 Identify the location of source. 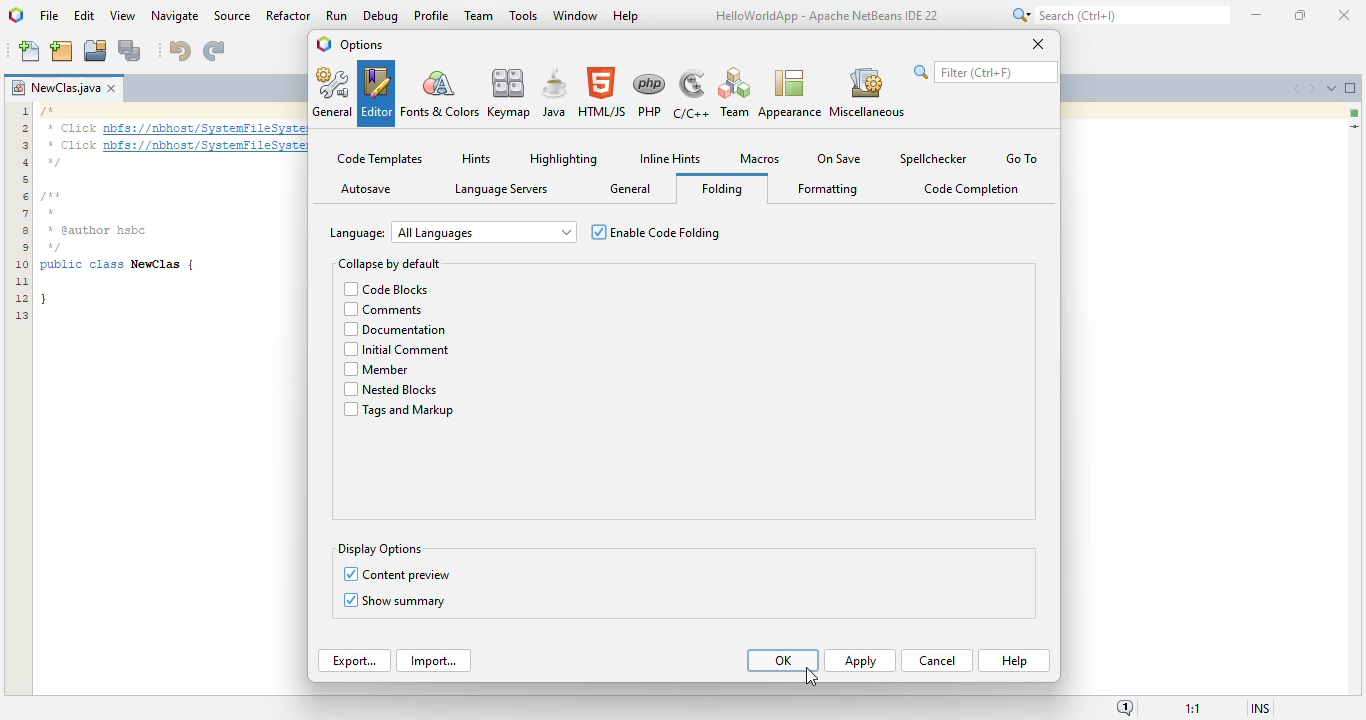
(233, 16).